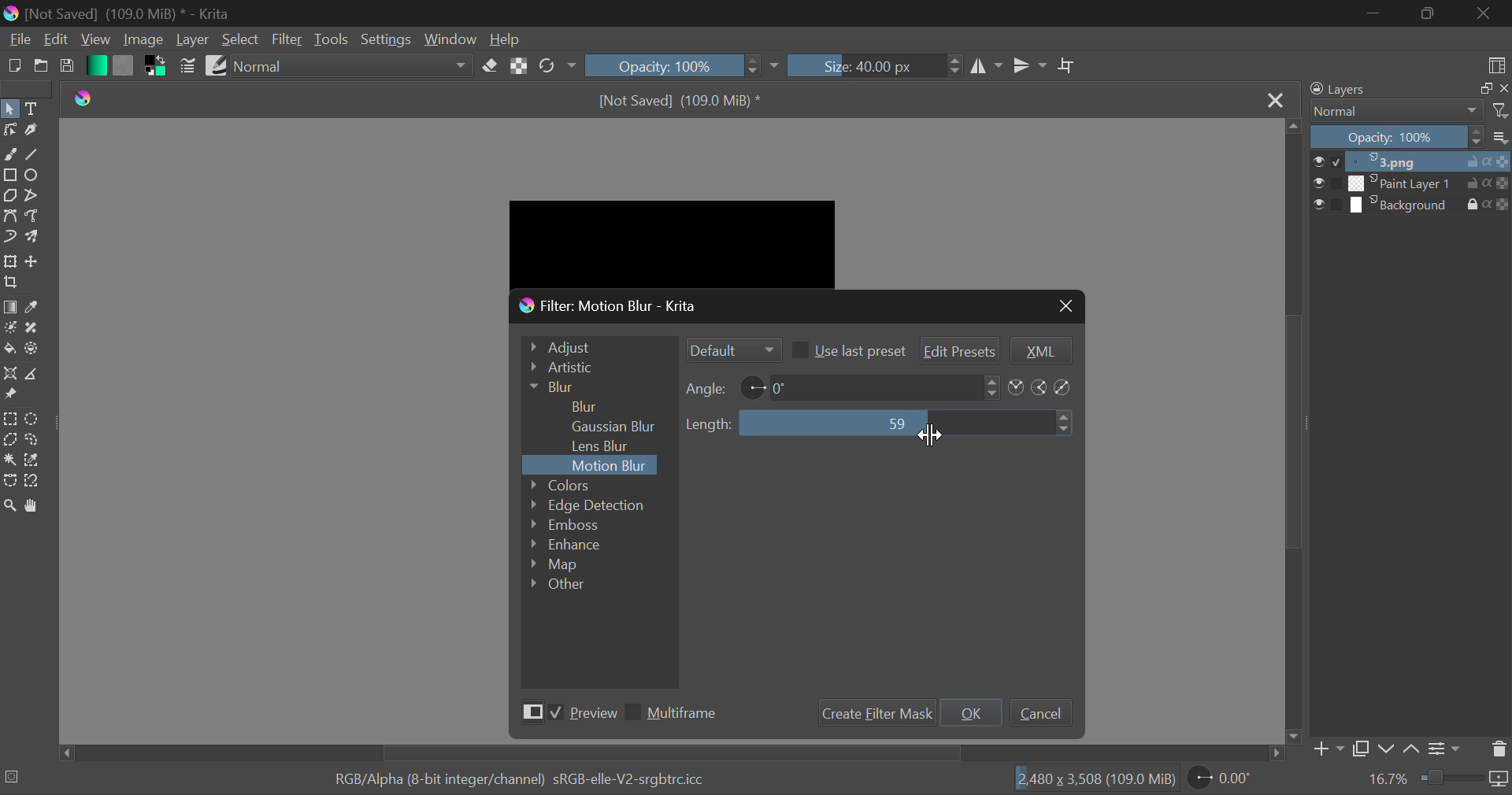 This screenshot has width=1512, height=795. Describe the element at coordinates (568, 545) in the screenshot. I see `Enhance` at that location.